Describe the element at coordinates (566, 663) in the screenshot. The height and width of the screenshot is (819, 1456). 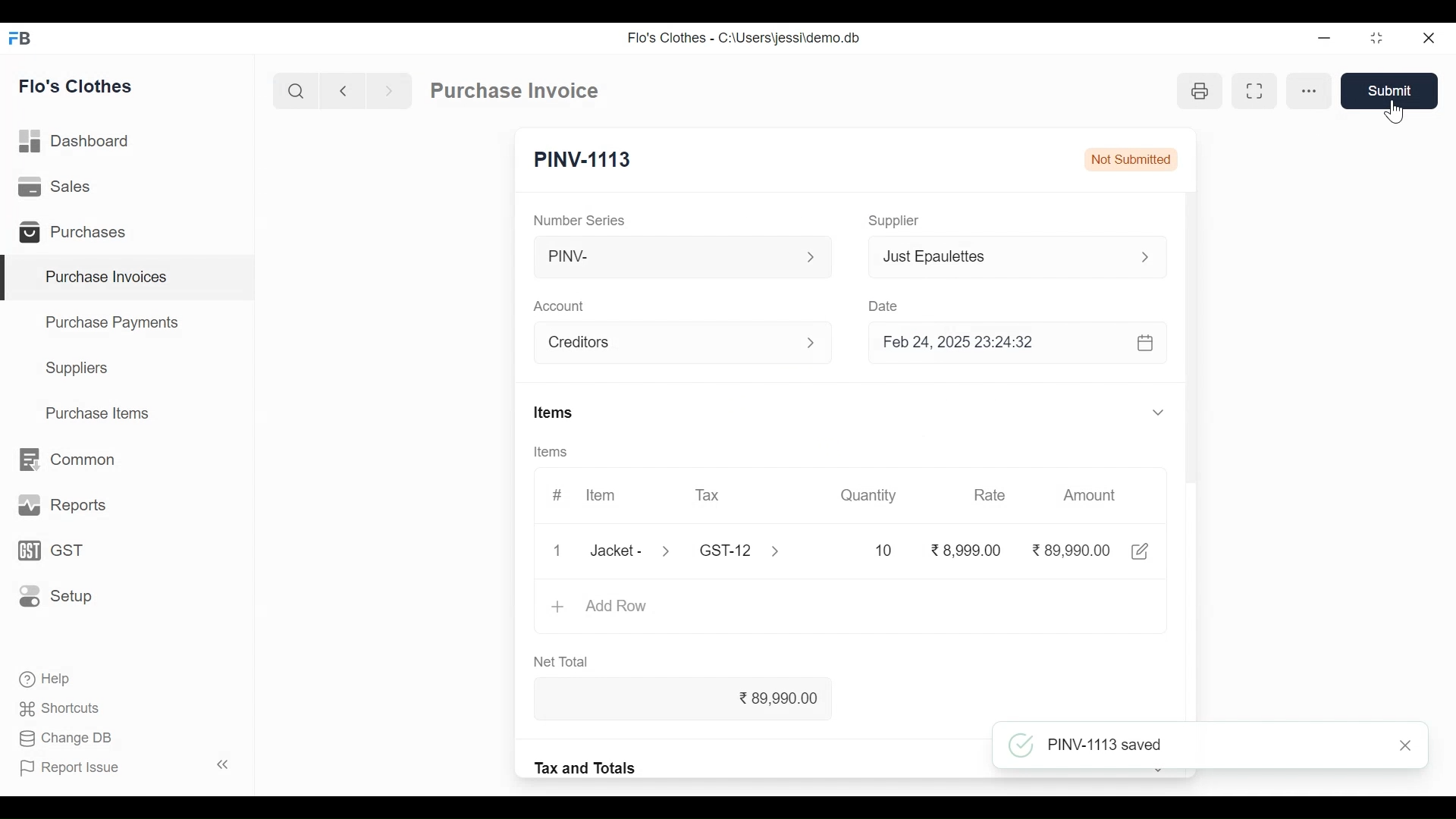
I see `Net Total` at that location.